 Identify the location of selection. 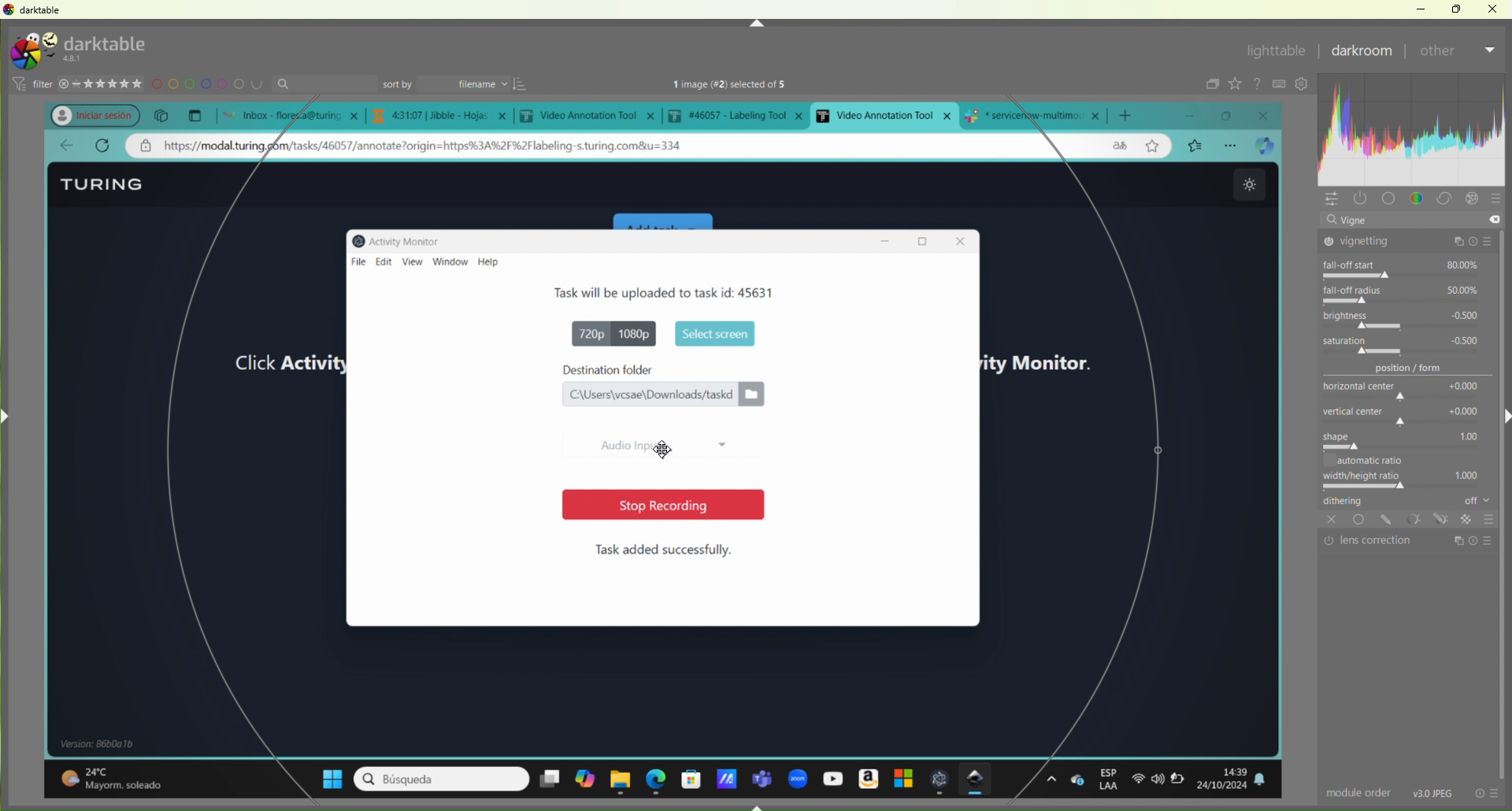
(1155, 476).